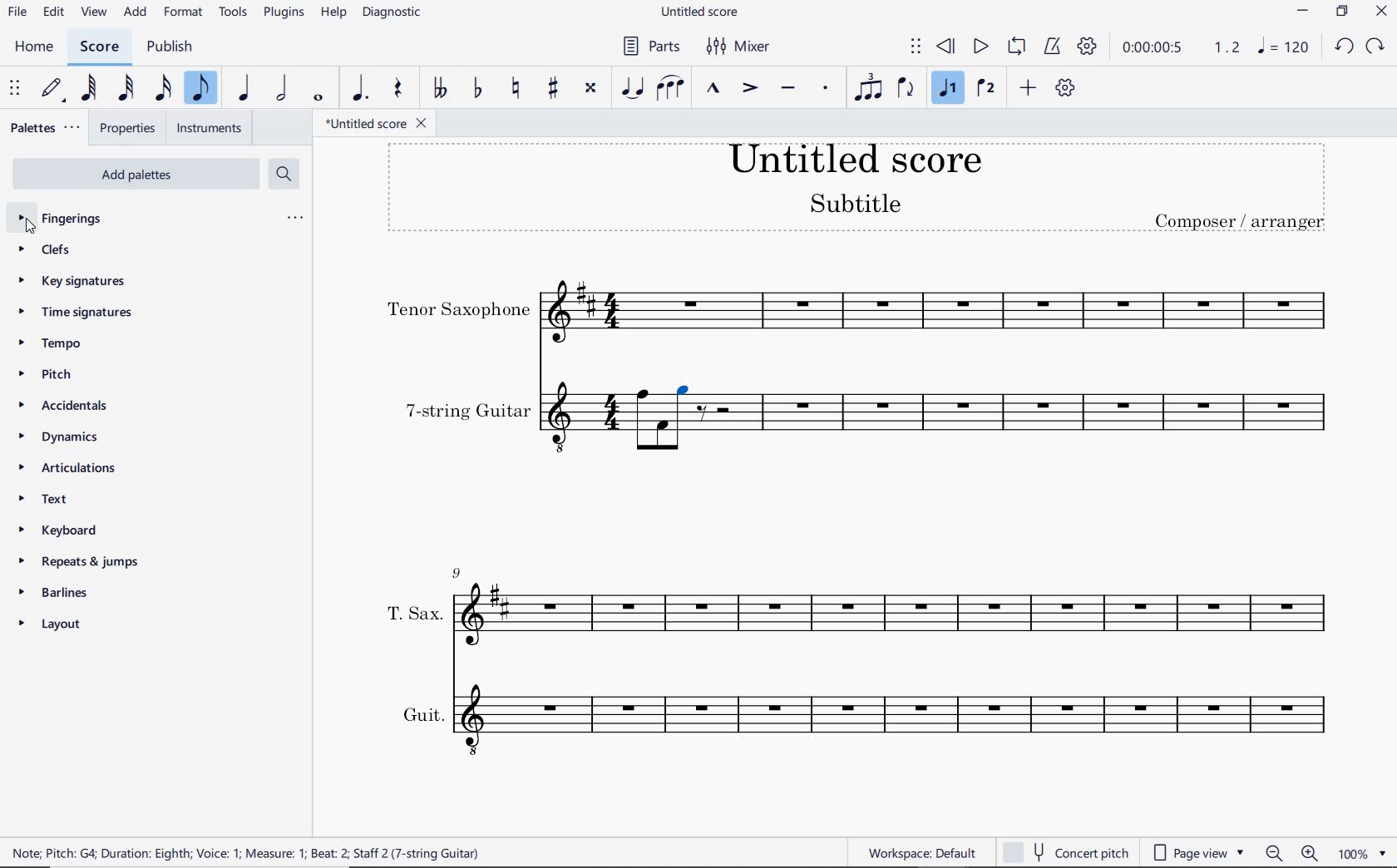 Image resolution: width=1397 pixels, height=868 pixels. What do you see at coordinates (234, 13) in the screenshot?
I see `TOOLS` at bounding box center [234, 13].